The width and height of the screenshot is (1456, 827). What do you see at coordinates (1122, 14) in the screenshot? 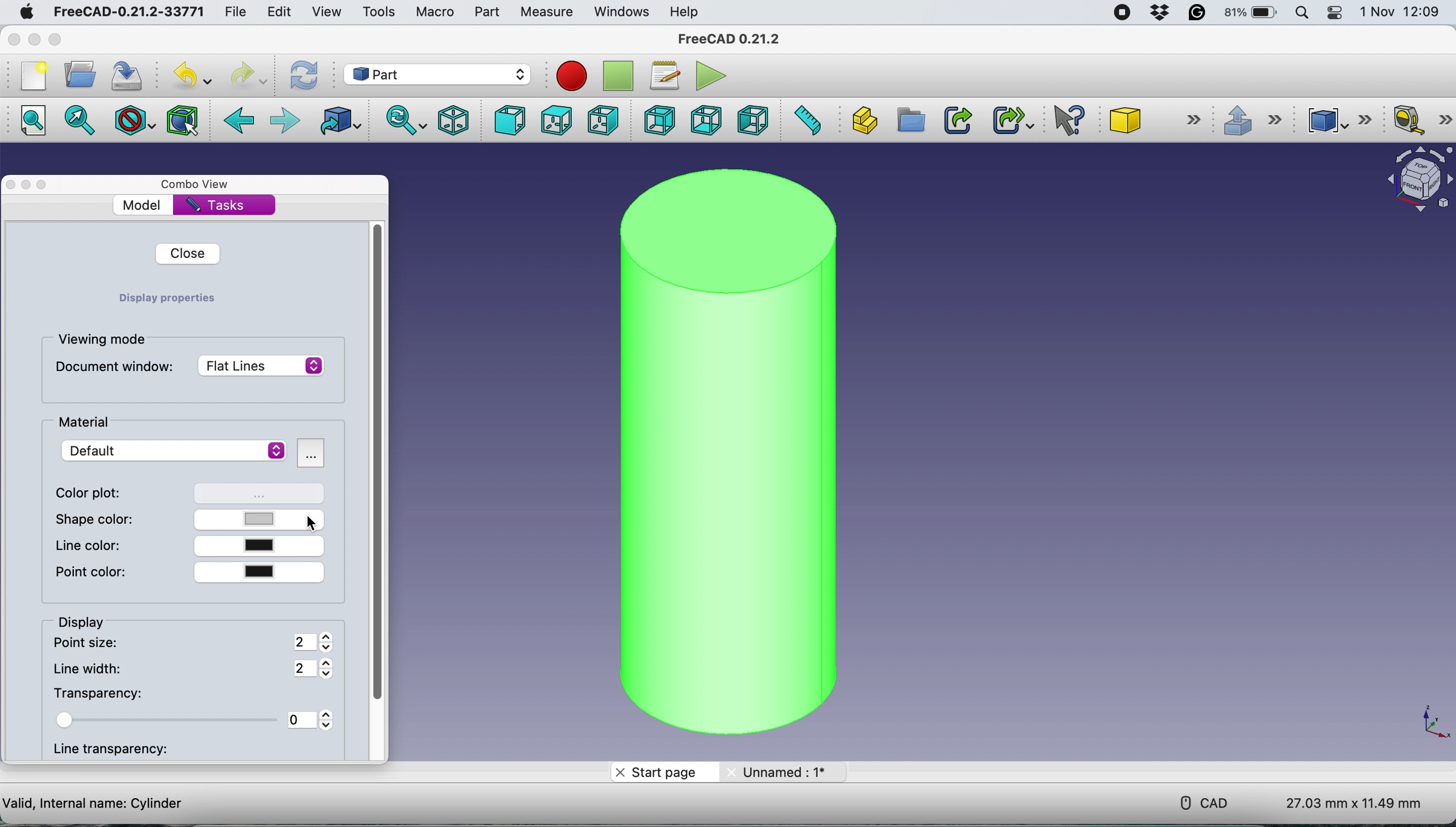
I see `screen recorder` at bounding box center [1122, 14].